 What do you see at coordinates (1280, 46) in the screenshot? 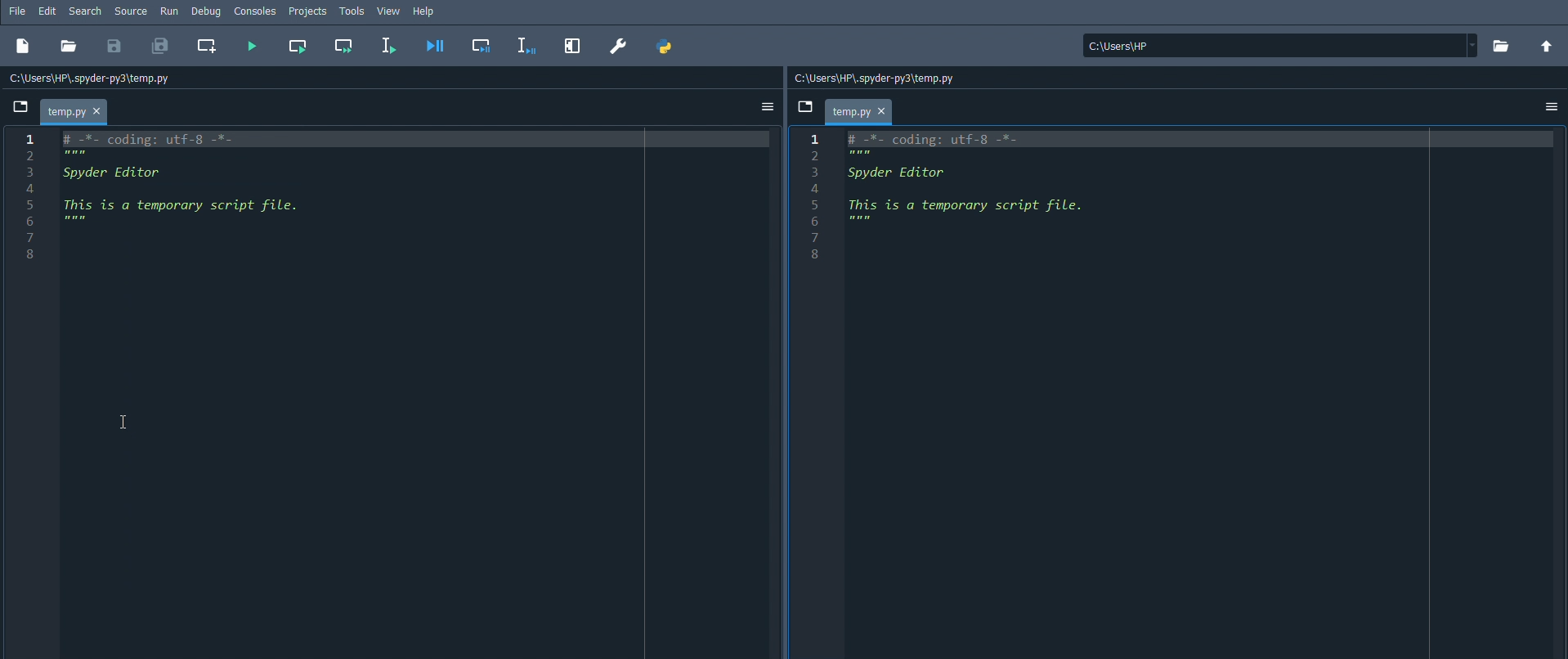
I see `C:\Users\HP` at bounding box center [1280, 46].